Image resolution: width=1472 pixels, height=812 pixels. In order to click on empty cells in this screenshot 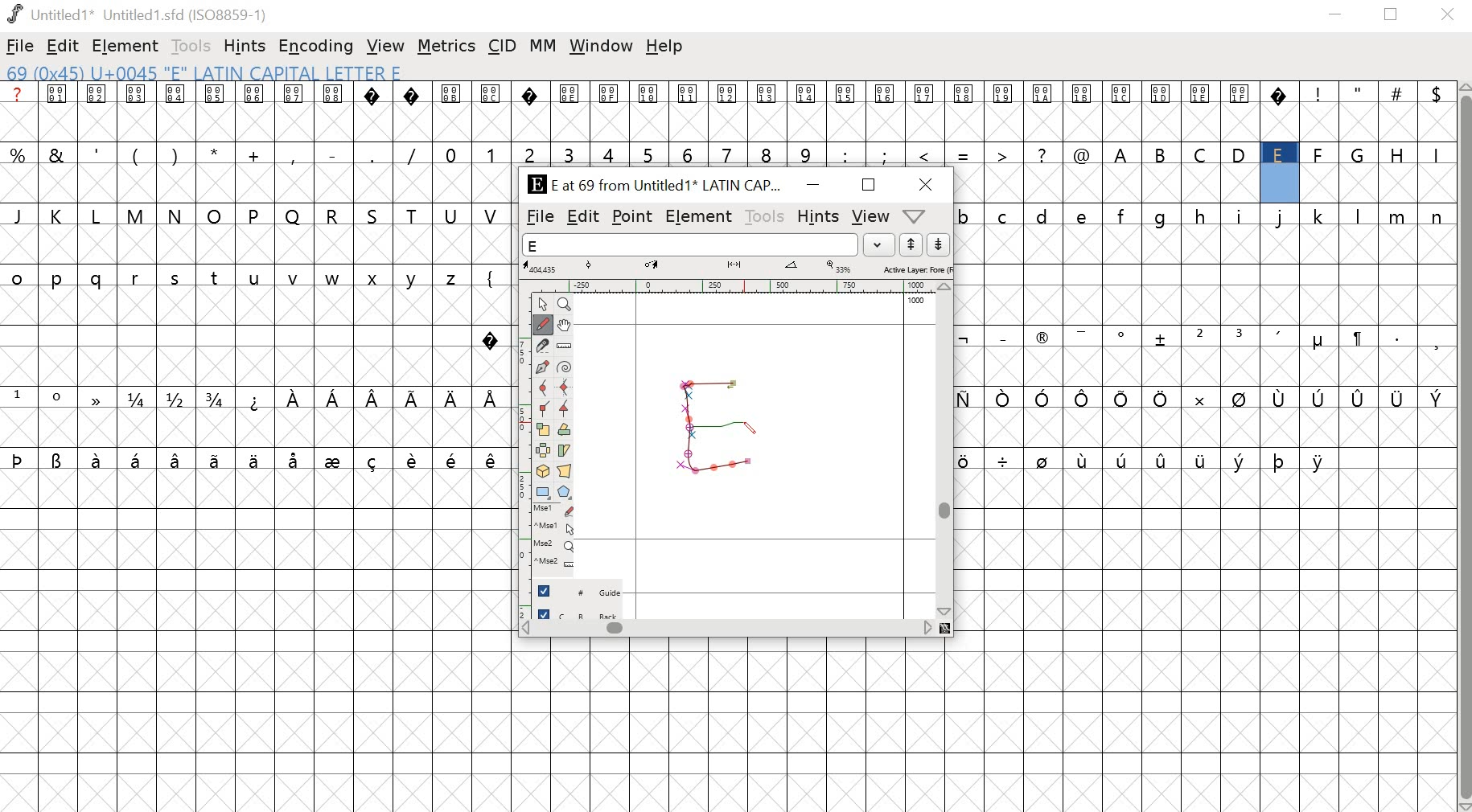, I will do `click(735, 724)`.